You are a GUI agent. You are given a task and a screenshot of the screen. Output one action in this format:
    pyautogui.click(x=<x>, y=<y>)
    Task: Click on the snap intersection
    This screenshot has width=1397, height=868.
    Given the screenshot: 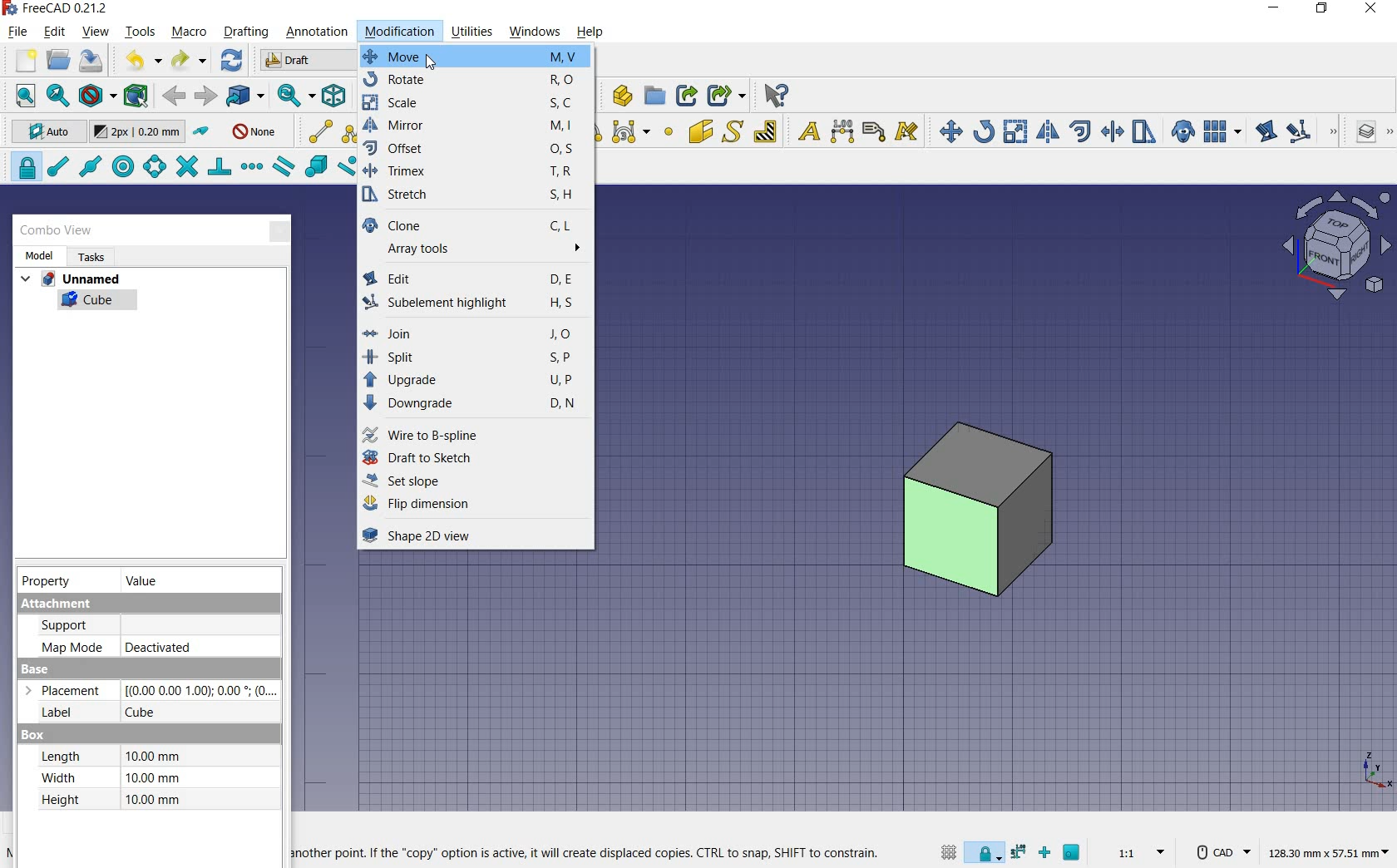 What is the action you would take?
    pyautogui.click(x=189, y=166)
    